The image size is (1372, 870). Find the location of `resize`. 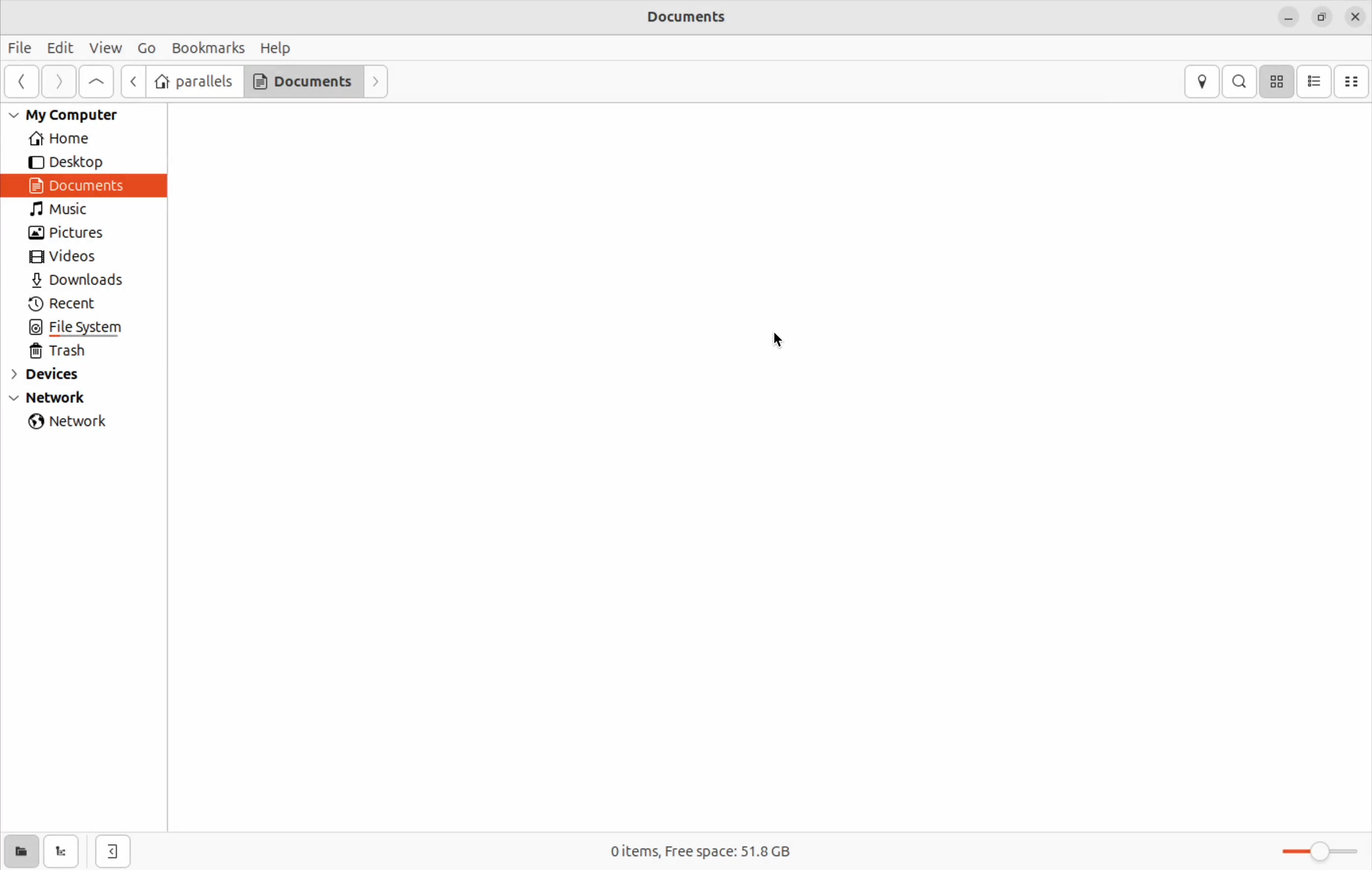

resize is located at coordinates (1322, 17).